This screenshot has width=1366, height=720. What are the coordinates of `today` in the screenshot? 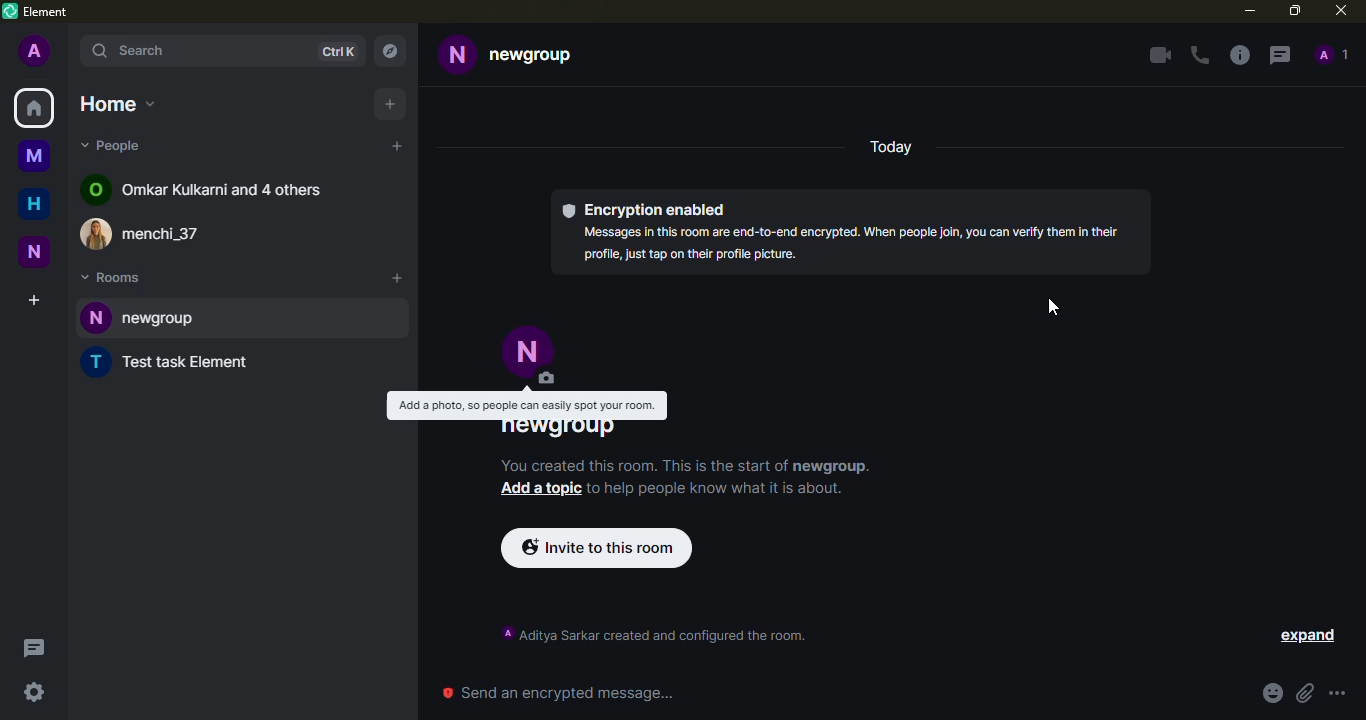 It's located at (891, 147).